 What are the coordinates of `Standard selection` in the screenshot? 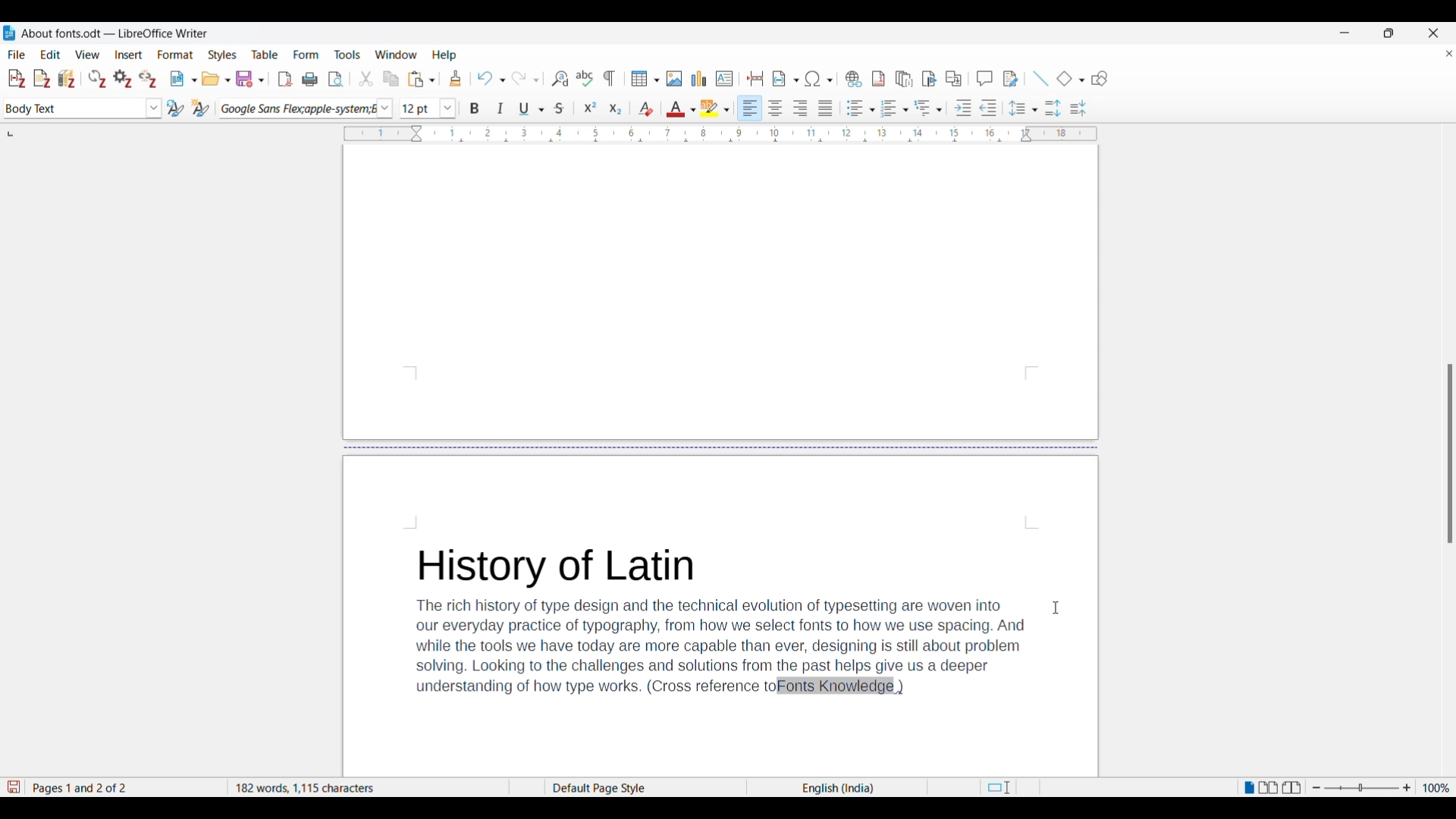 It's located at (998, 789).